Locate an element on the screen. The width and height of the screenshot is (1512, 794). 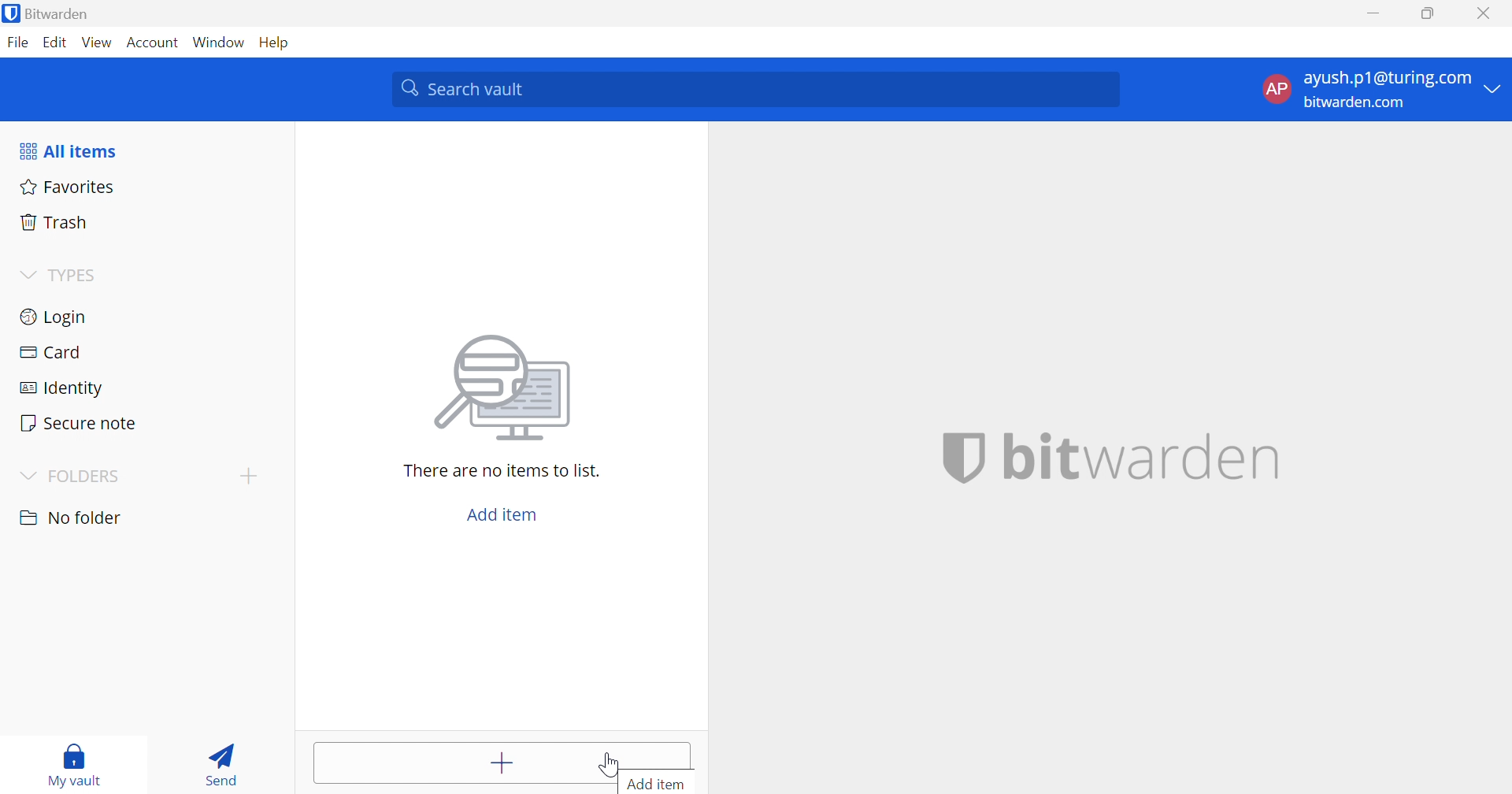
Identity is located at coordinates (63, 390).